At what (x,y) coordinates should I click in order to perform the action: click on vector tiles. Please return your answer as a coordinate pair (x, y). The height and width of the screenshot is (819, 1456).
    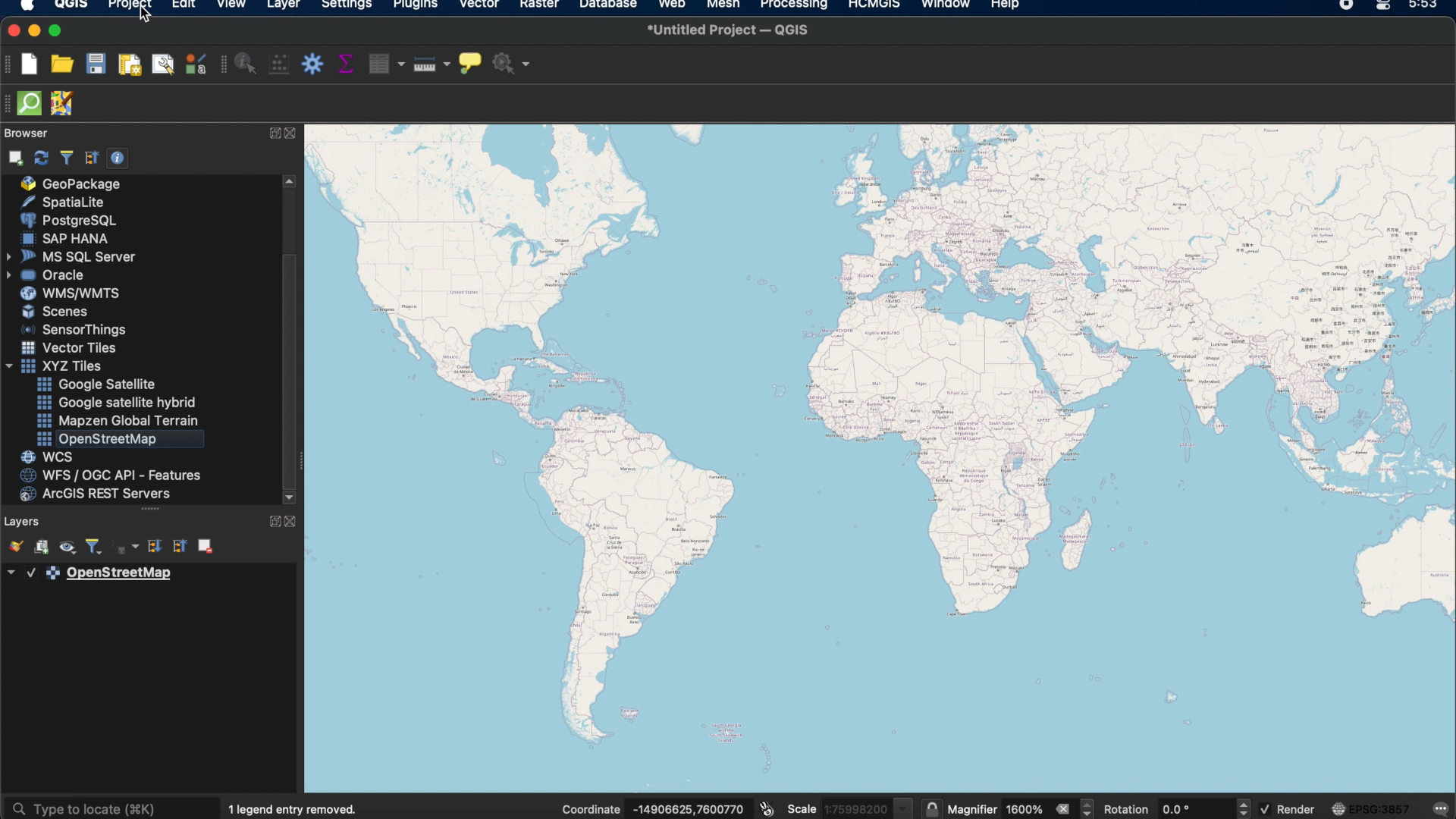
    Looking at the image, I should click on (67, 348).